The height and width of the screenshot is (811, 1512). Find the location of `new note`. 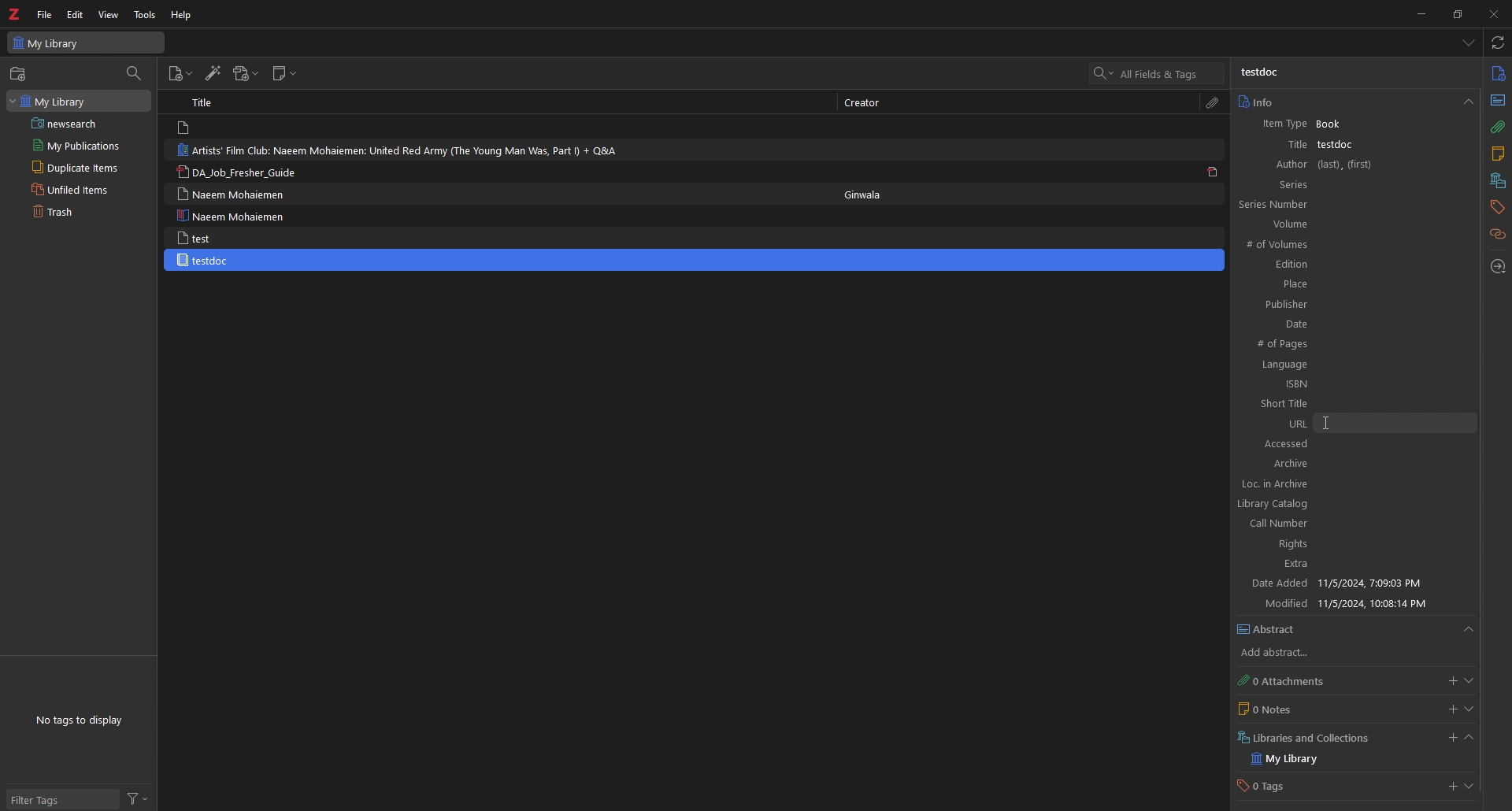

new note is located at coordinates (285, 73).